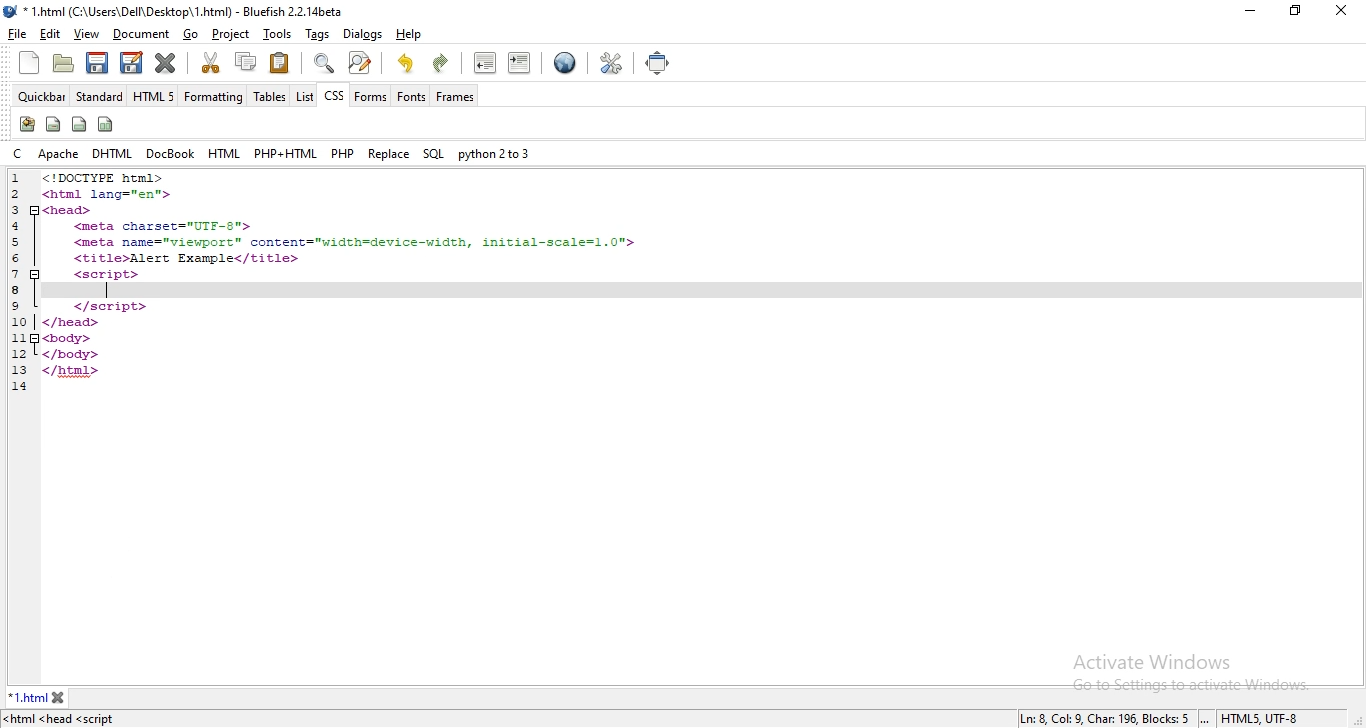 The width and height of the screenshot is (1366, 728). What do you see at coordinates (11, 12) in the screenshot?
I see `bluefish logo` at bounding box center [11, 12].